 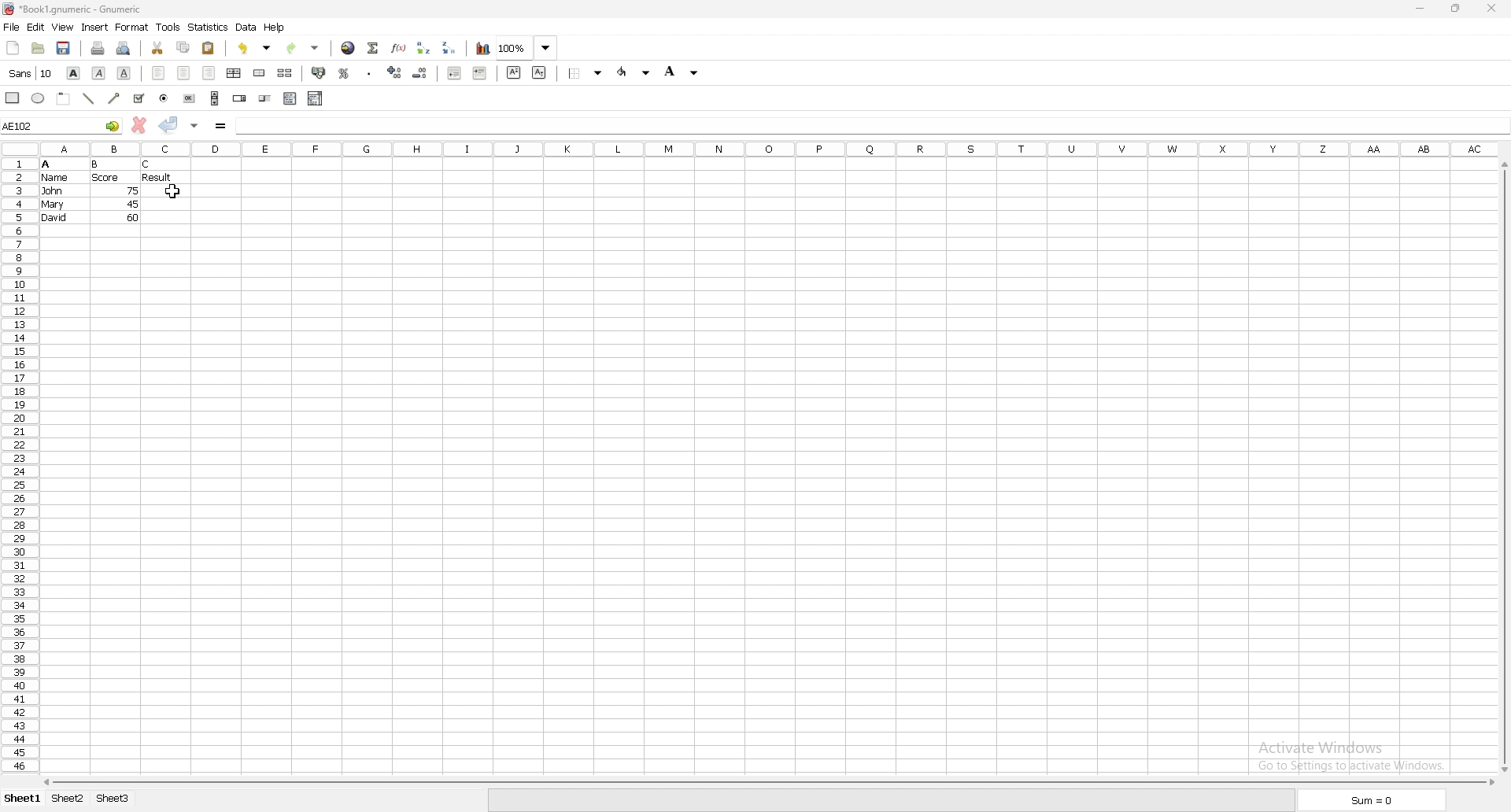 I want to click on increase indent, so click(x=481, y=73).